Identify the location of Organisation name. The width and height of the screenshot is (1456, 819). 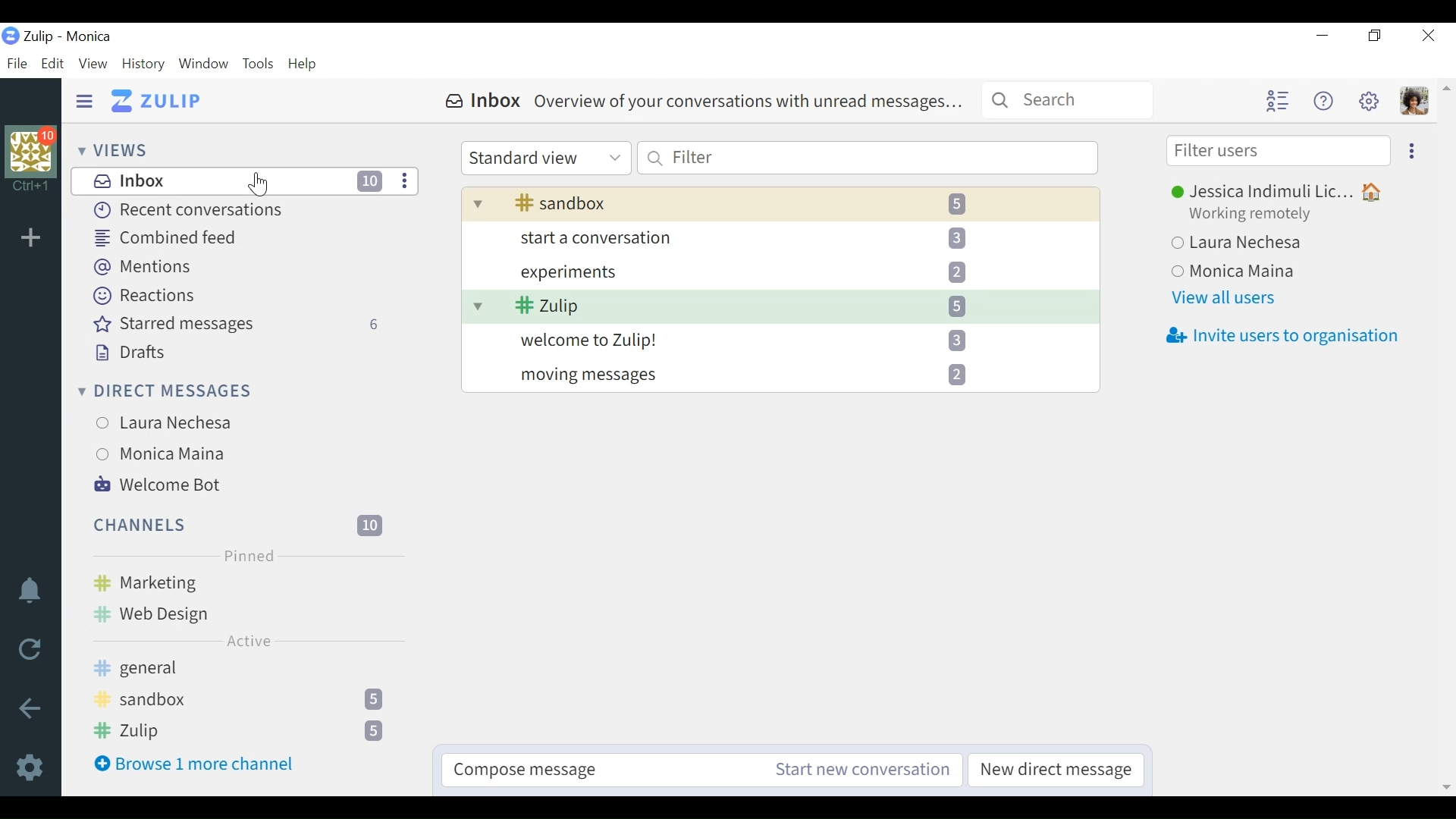
(88, 36).